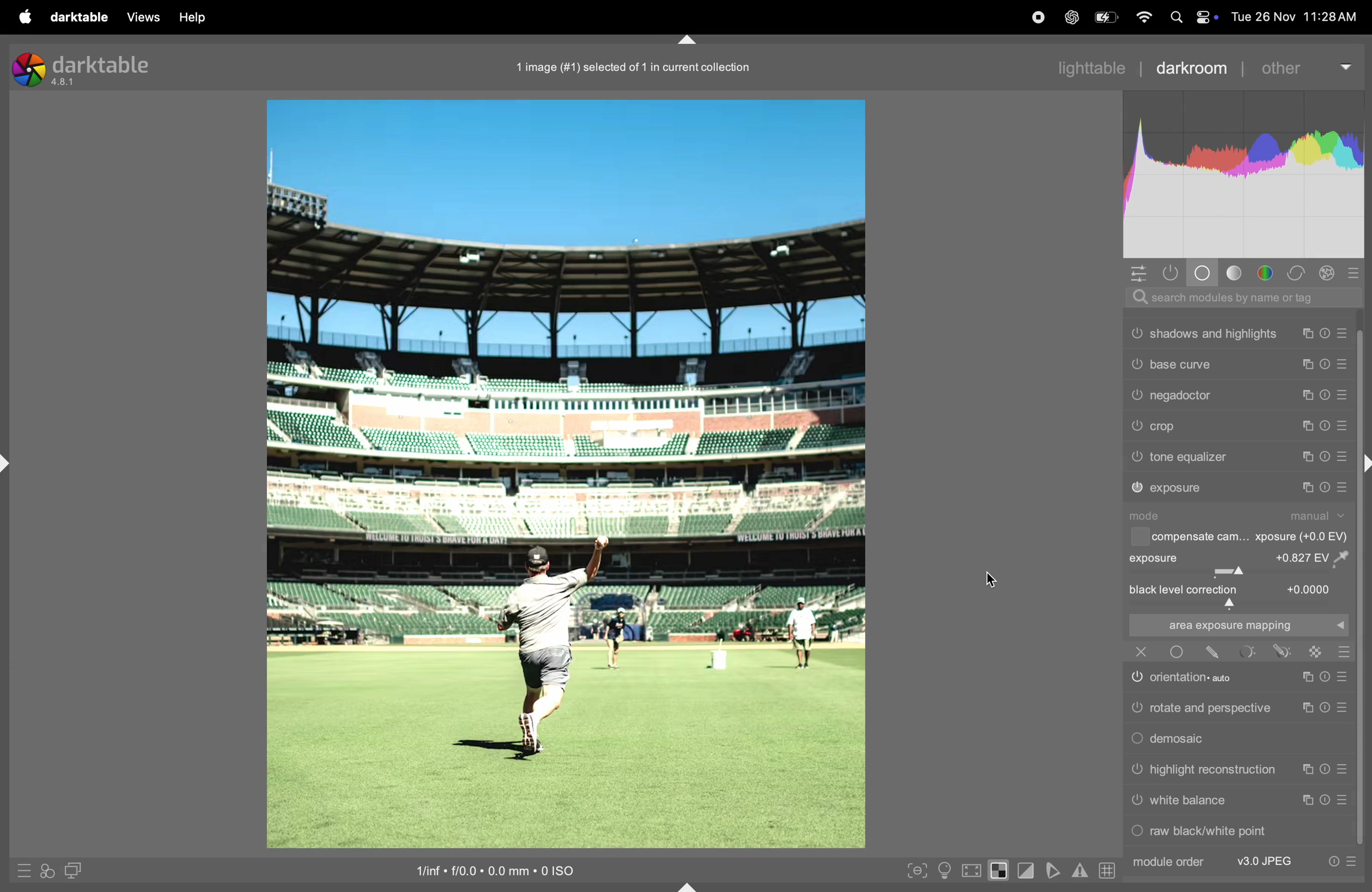 This screenshot has height=892, width=1372. What do you see at coordinates (1149, 516) in the screenshot?
I see `mode` at bounding box center [1149, 516].